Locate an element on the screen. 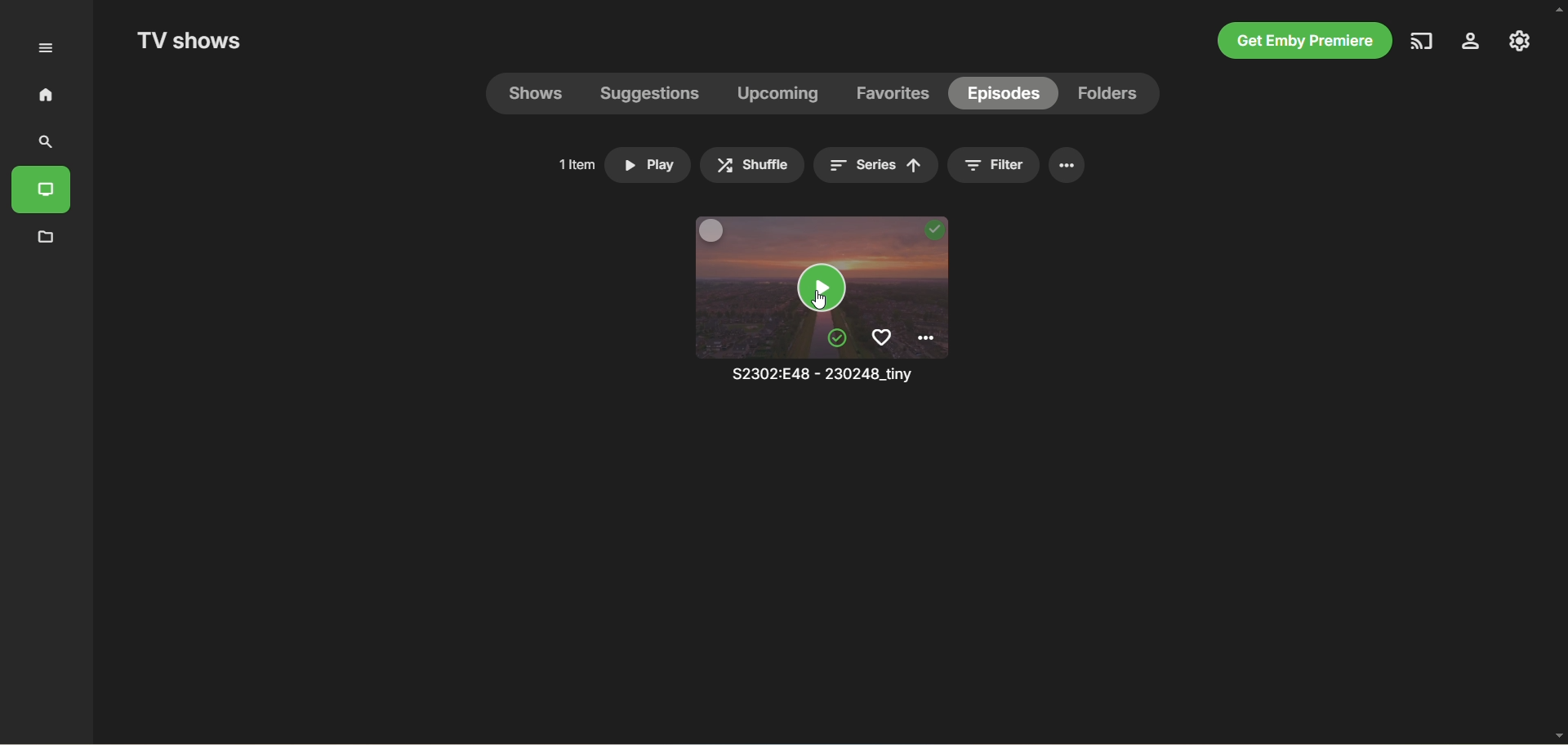  Cursor is located at coordinates (818, 299).